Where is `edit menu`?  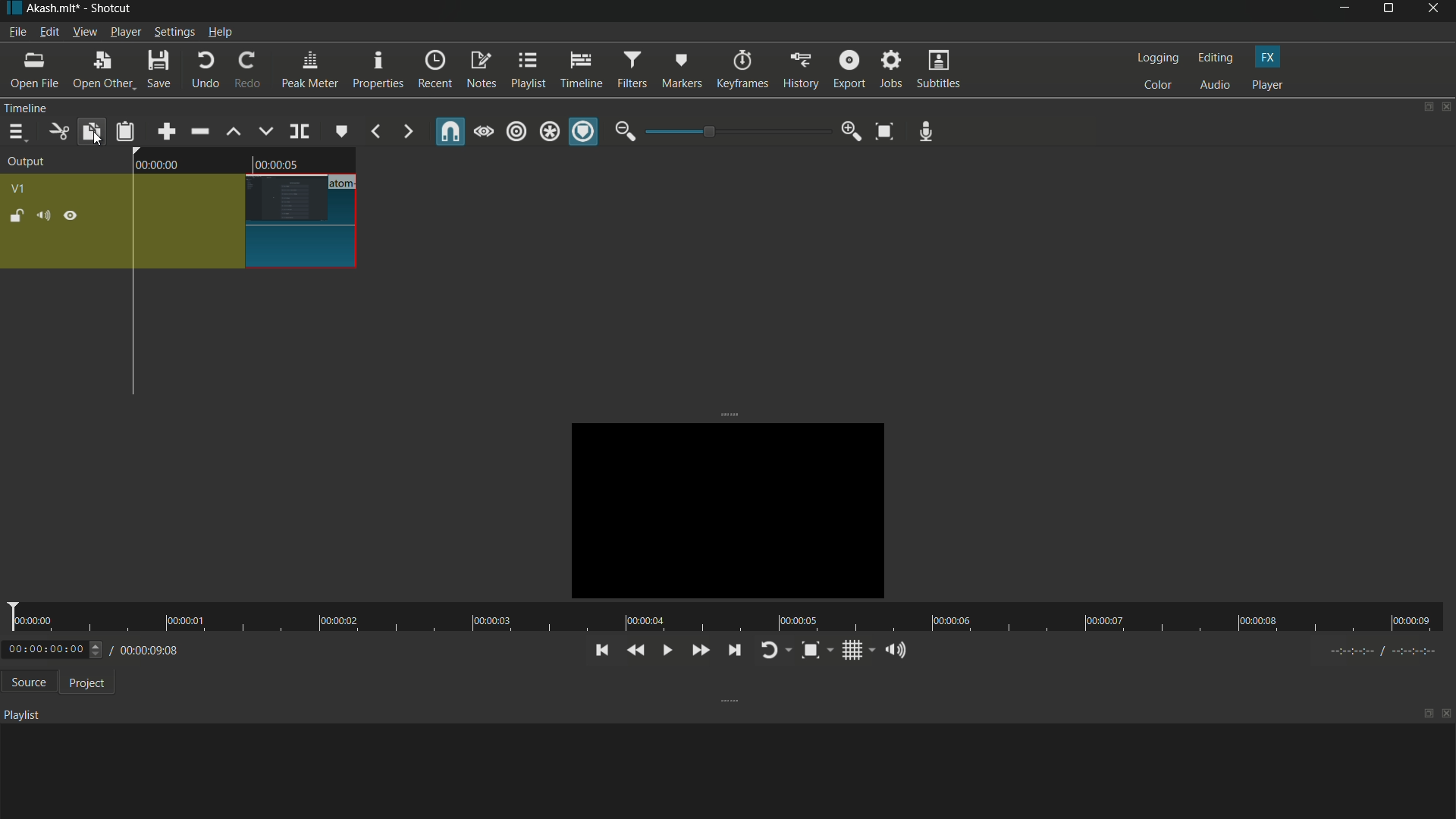 edit menu is located at coordinates (49, 33).